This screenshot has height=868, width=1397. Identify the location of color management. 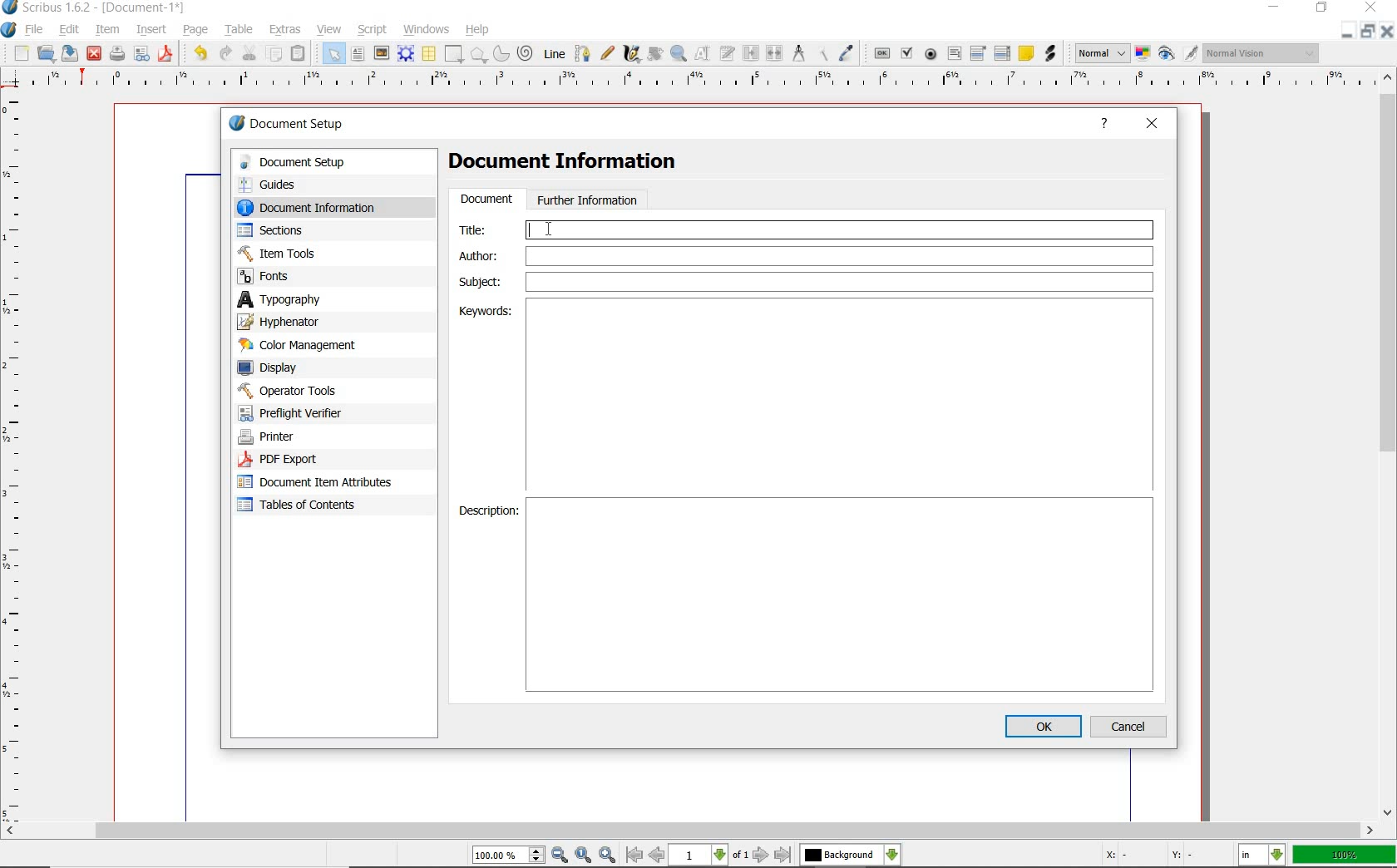
(301, 345).